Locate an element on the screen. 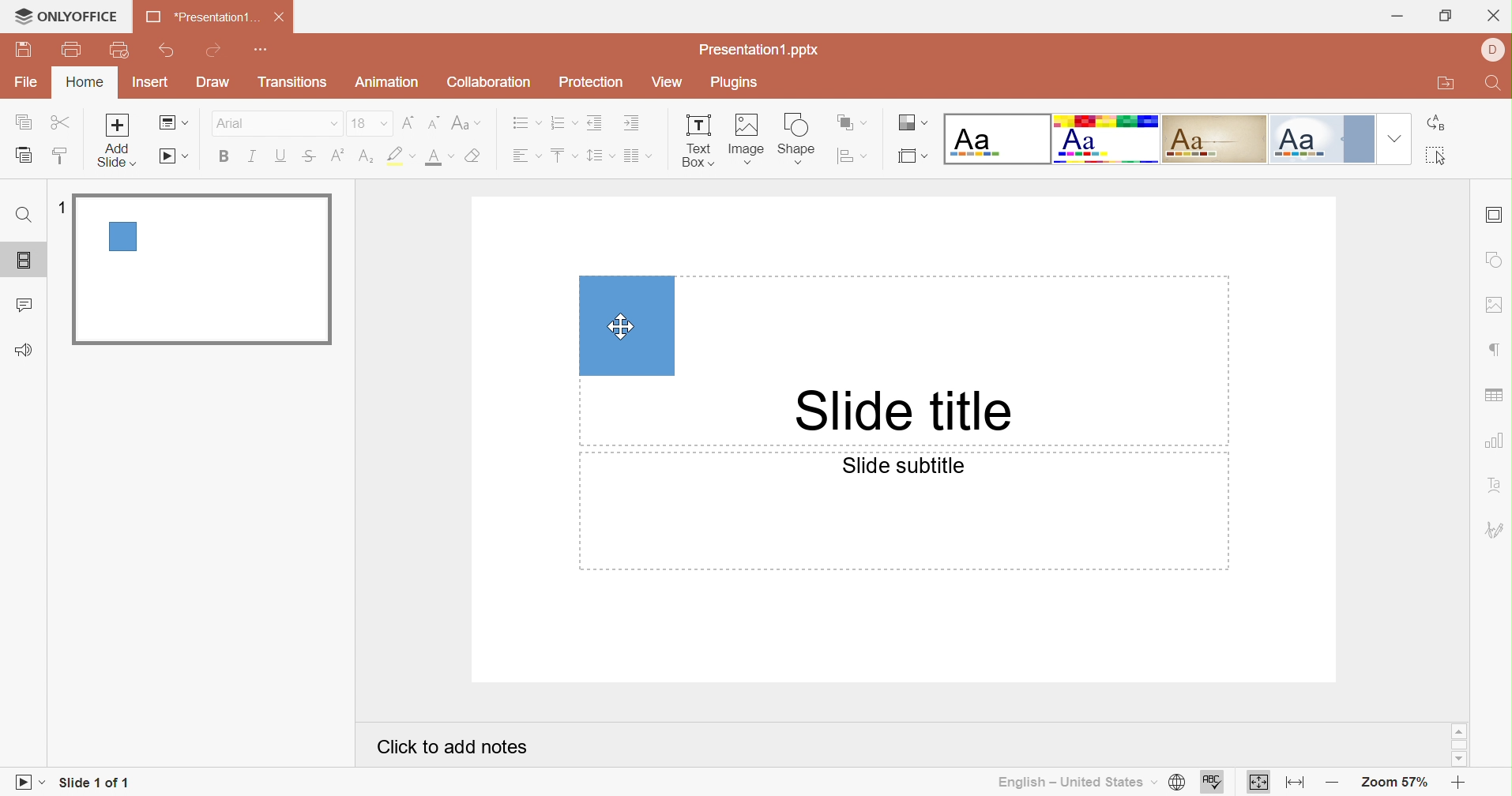  Zoom in is located at coordinates (1458, 785).